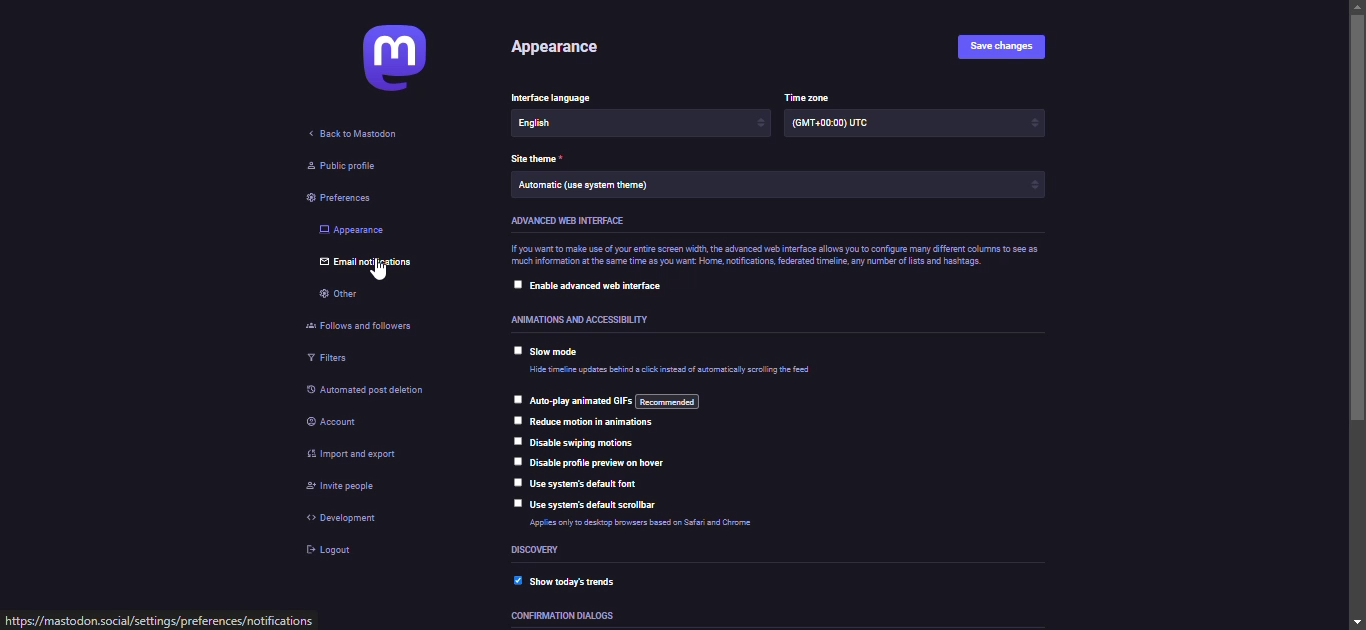  What do you see at coordinates (335, 420) in the screenshot?
I see `account` at bounding box center [335, 420].